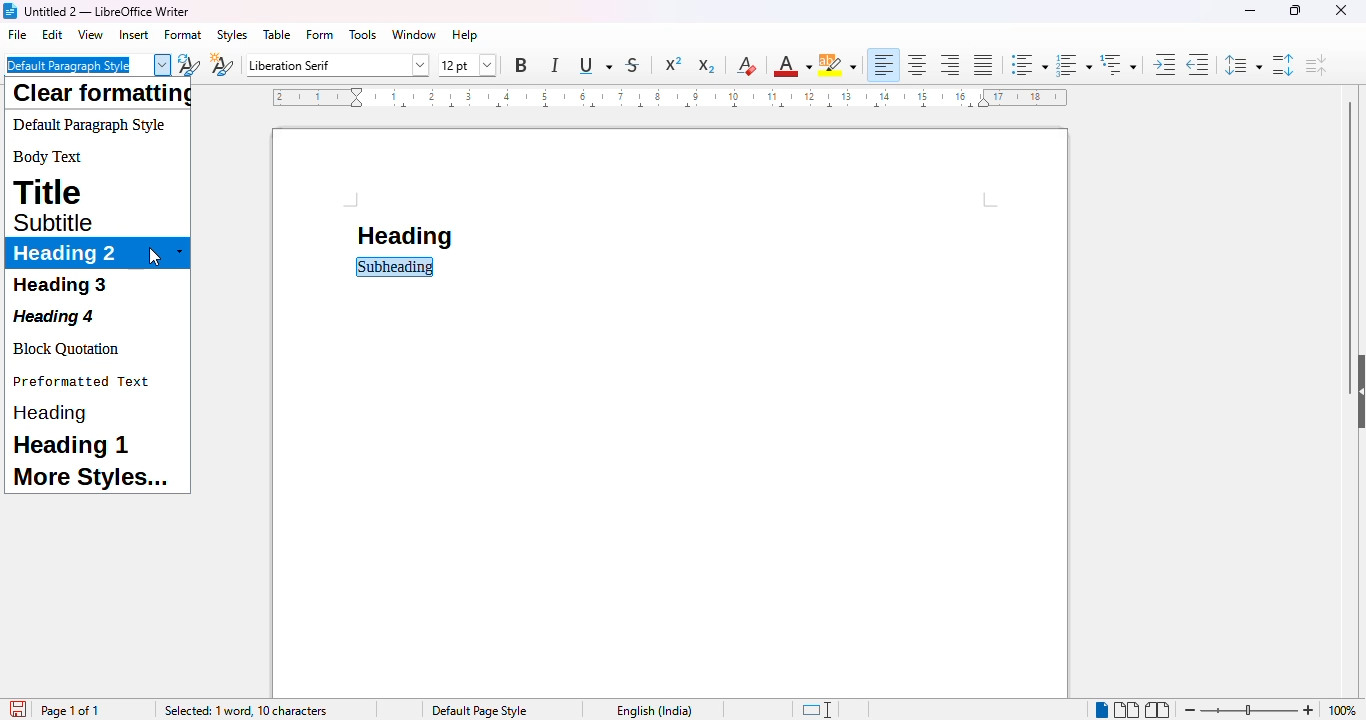  Describe the element at coordinates (53, 316) in the screenshot. I see `heading 4` at that location.